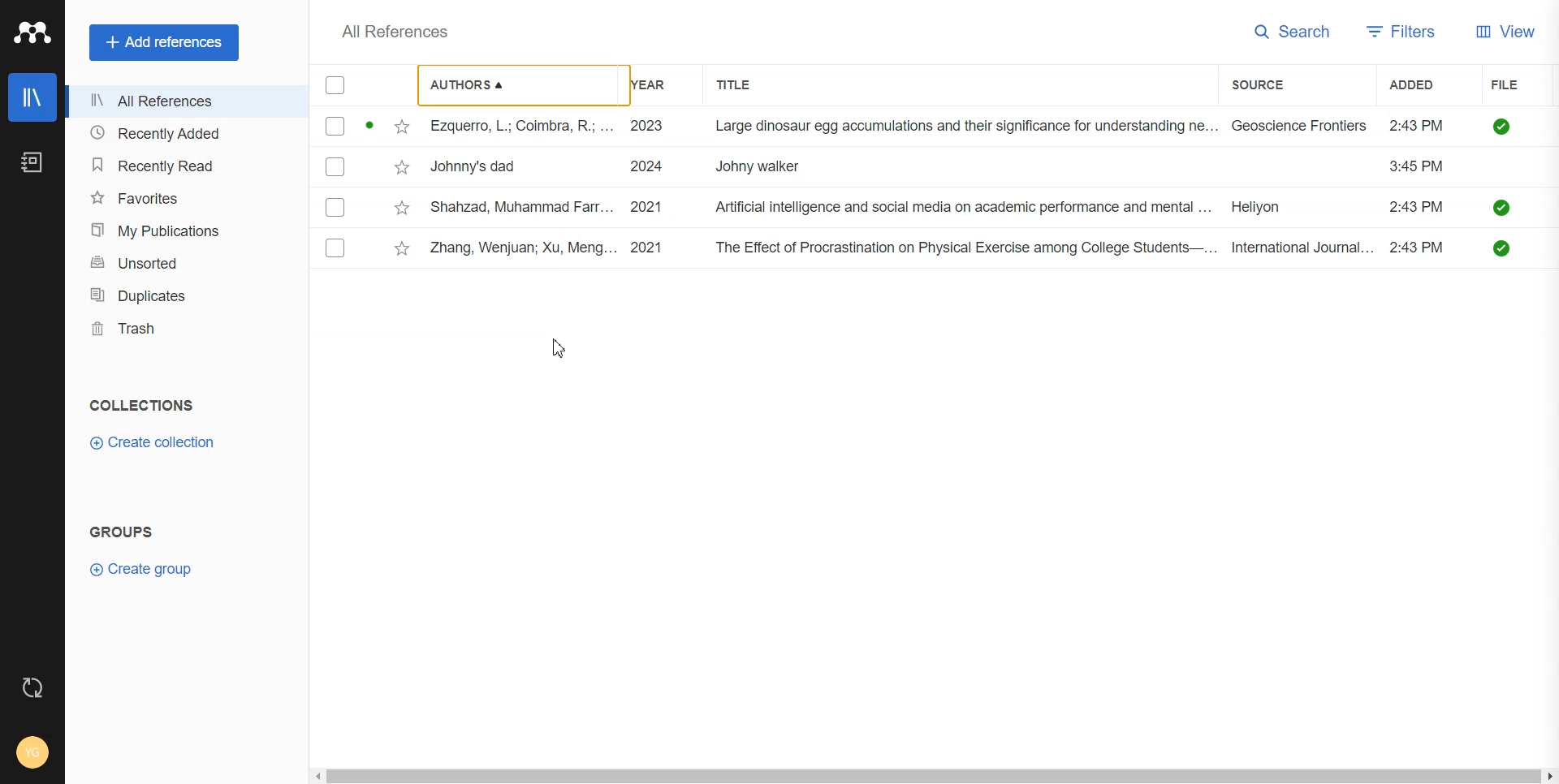  Describe the element at coordinates (1415, 123) in the screenshot. I see `3:45 PM` at that location.